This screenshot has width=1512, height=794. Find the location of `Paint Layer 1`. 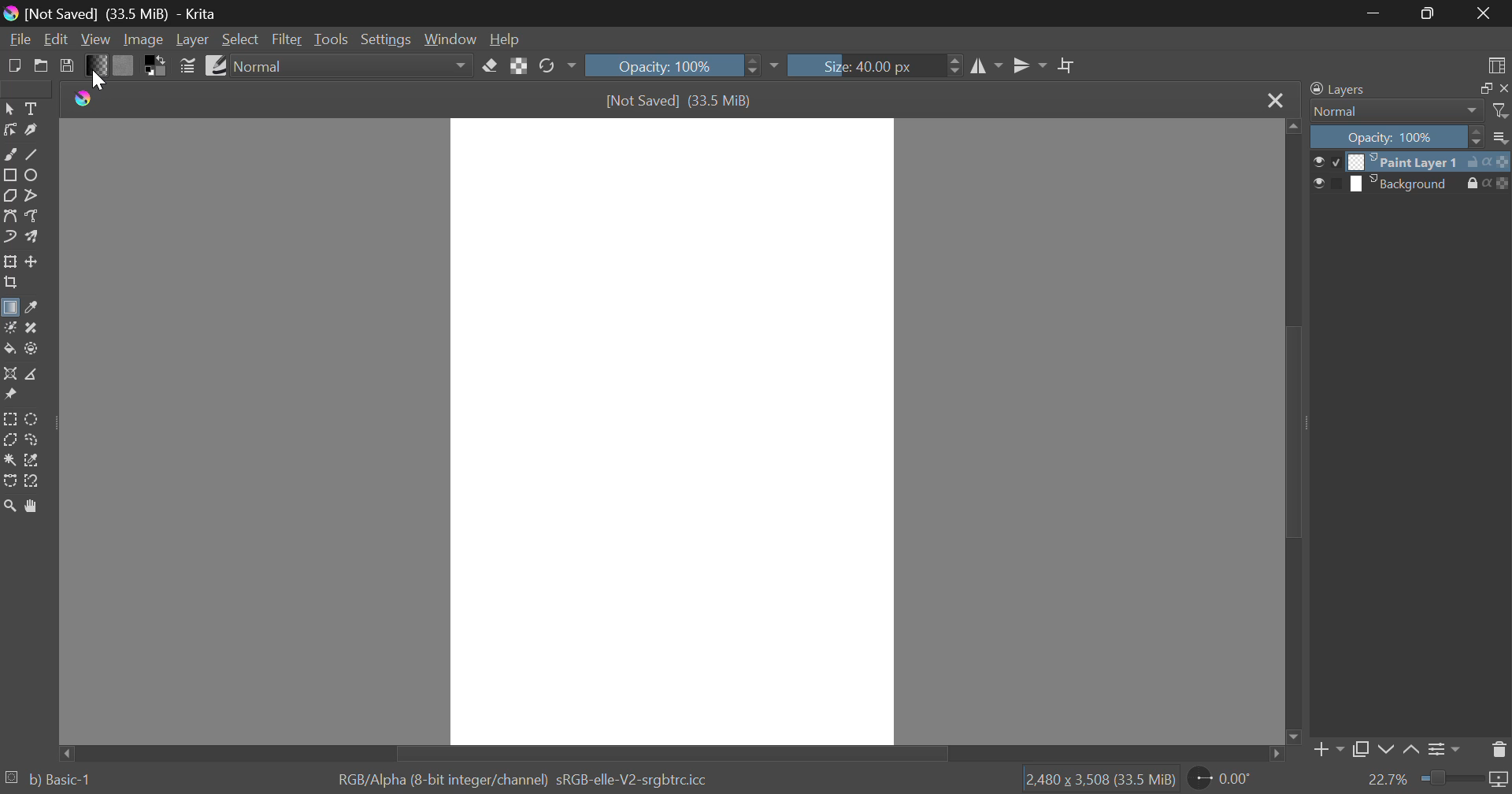

Paint Layer 1 is located at coordinates (1406, 161).